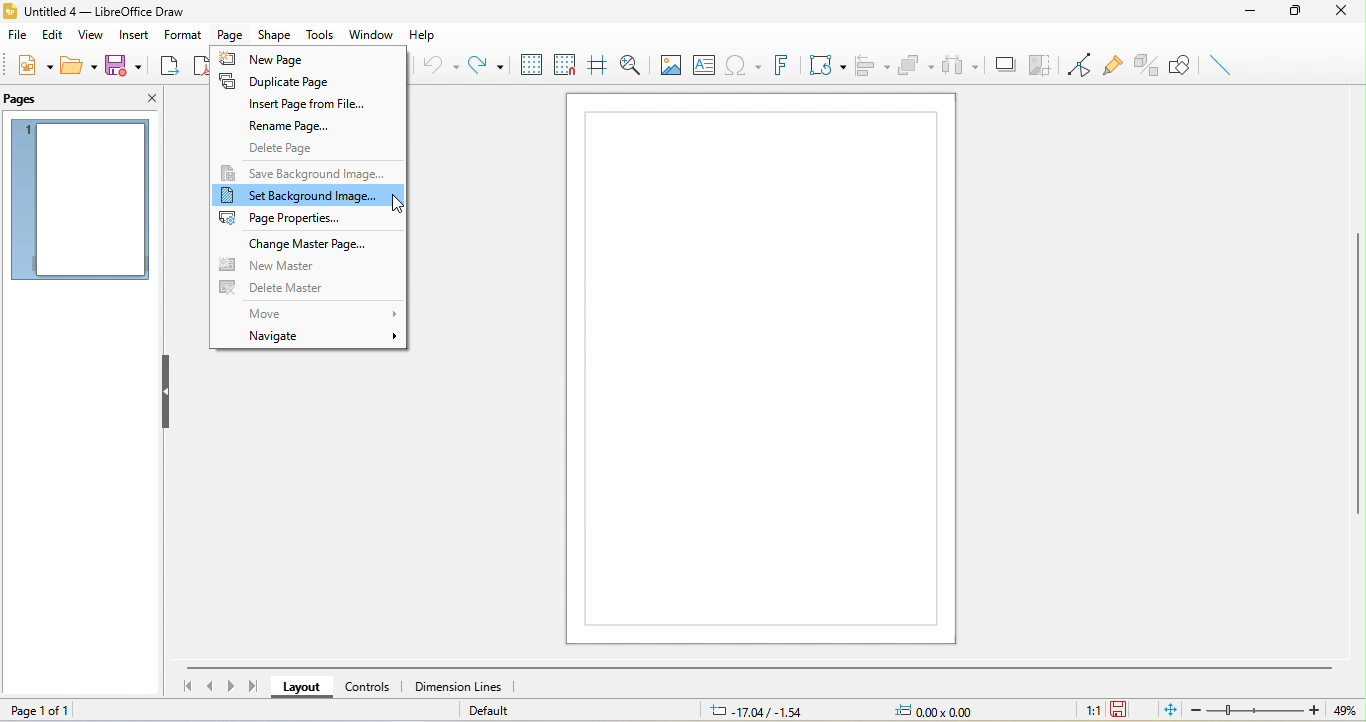  I want to click on format, so click(182, 34).